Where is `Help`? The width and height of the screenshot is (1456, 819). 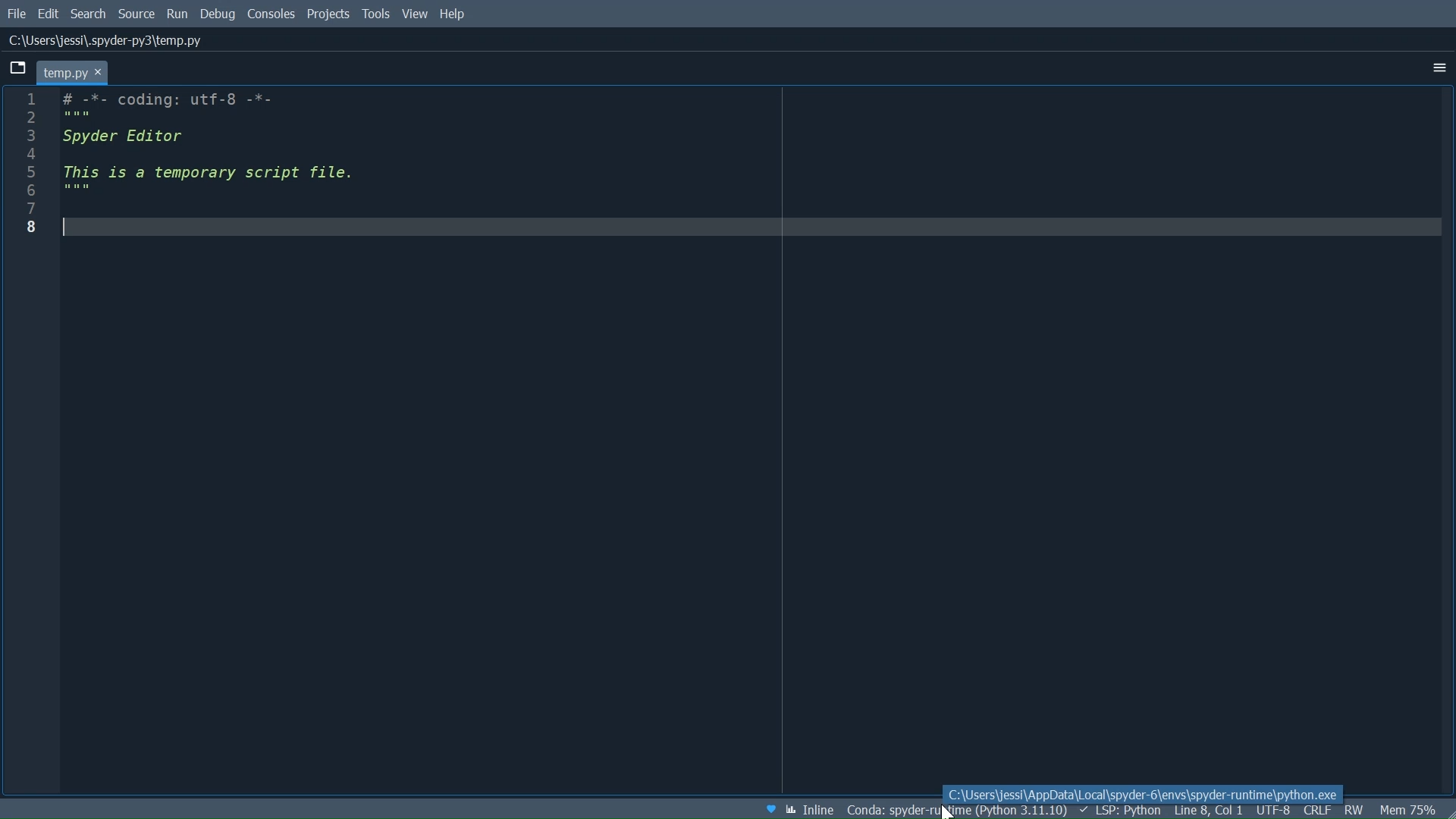
Help is located at coordinates (456, 13).